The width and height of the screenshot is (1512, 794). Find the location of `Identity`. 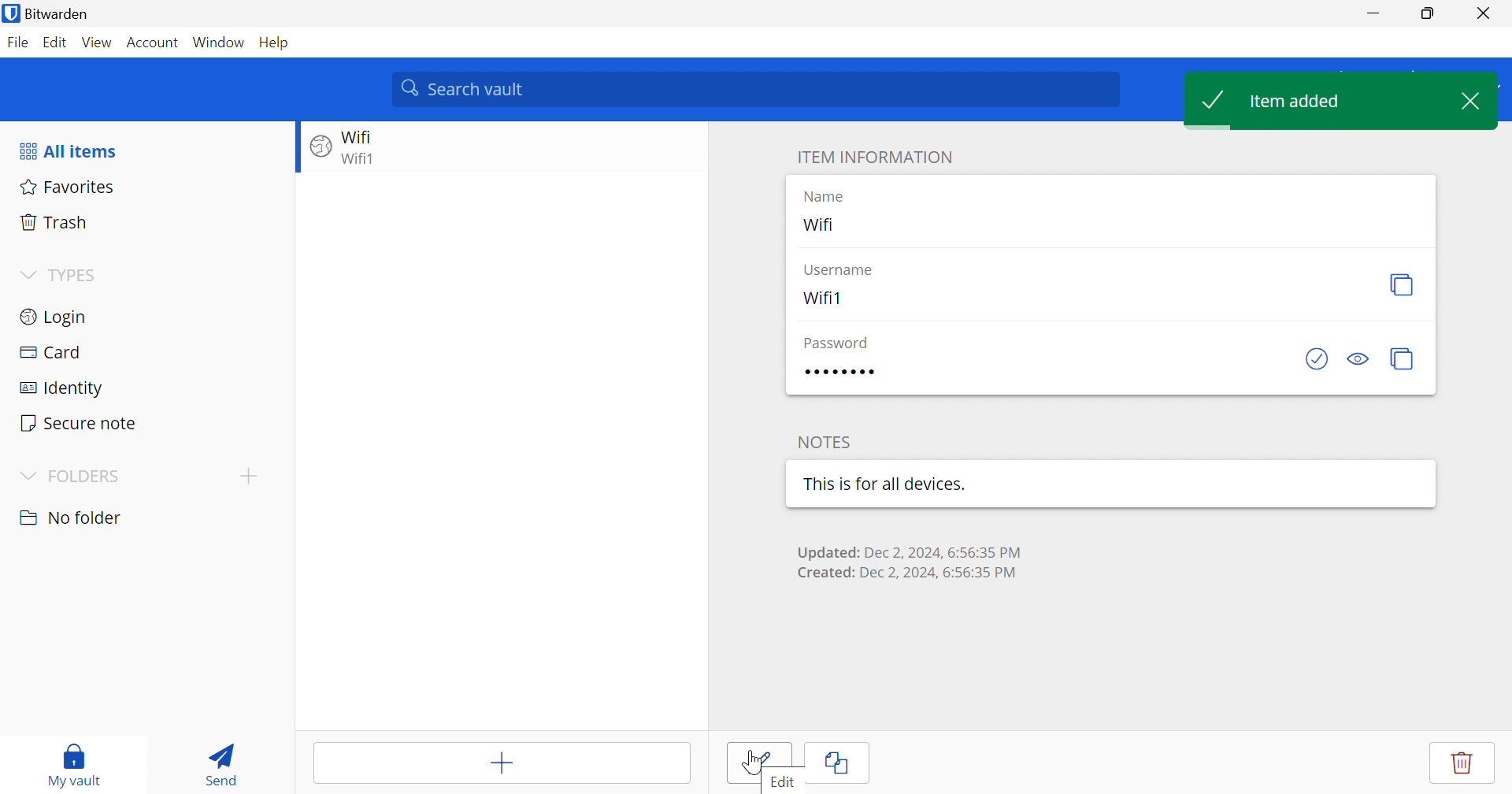

Identity is located at coordinates (64, 389).